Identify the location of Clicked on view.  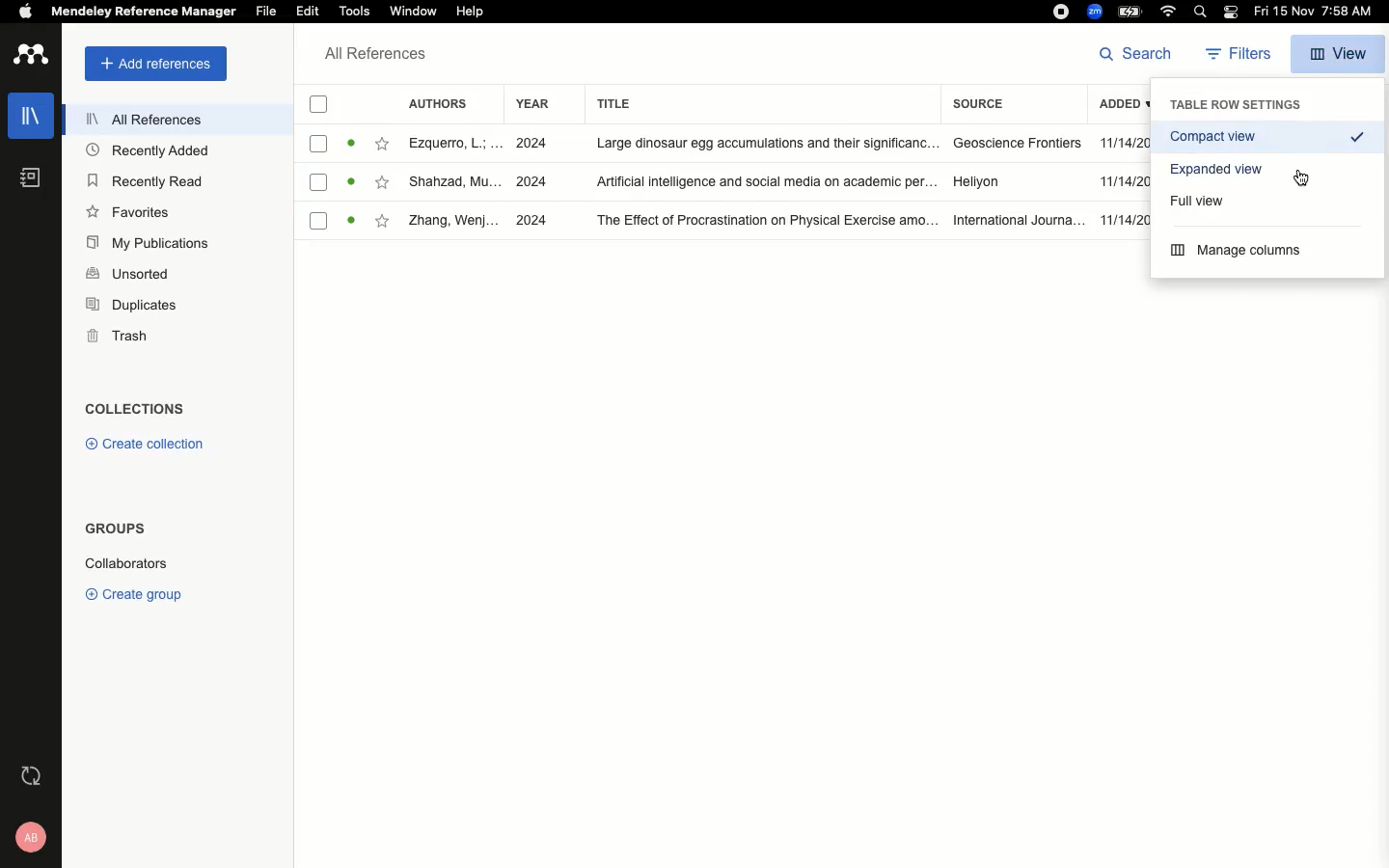
(1340, 51).